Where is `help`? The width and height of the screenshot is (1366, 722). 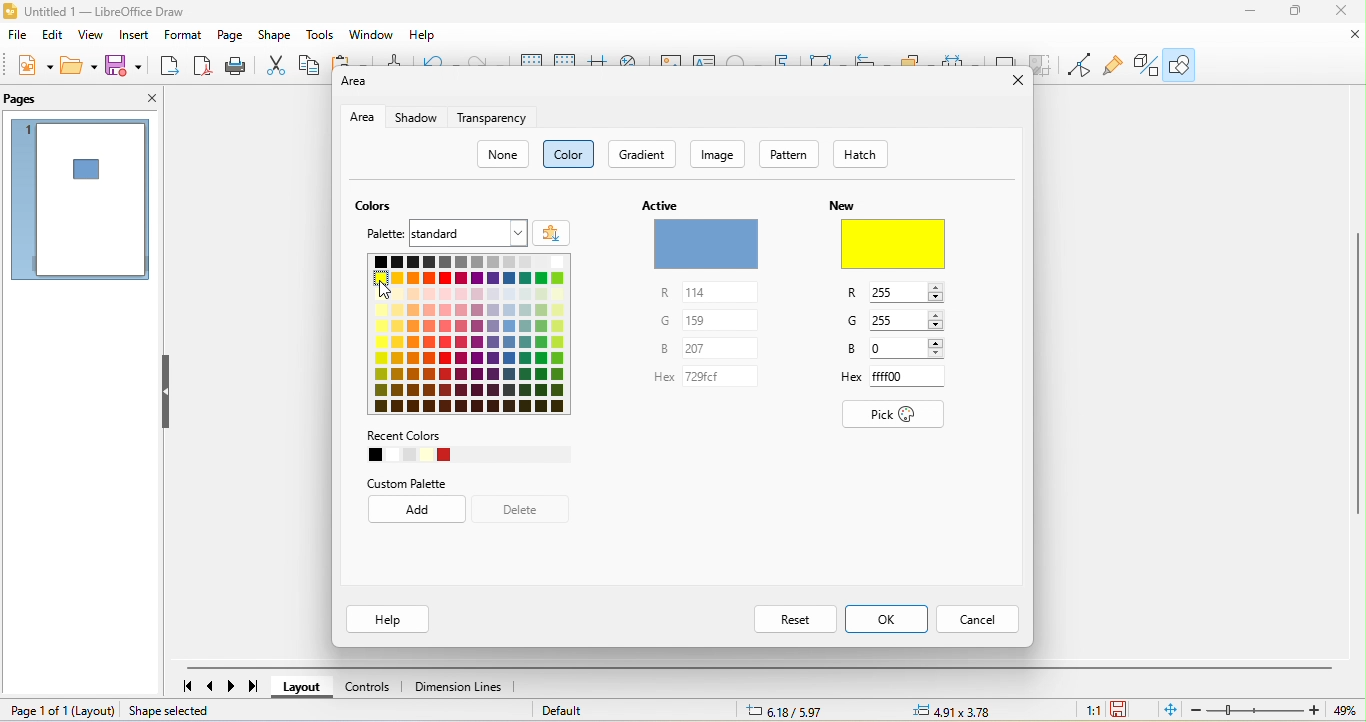 help is located at coordinates (393, 619).